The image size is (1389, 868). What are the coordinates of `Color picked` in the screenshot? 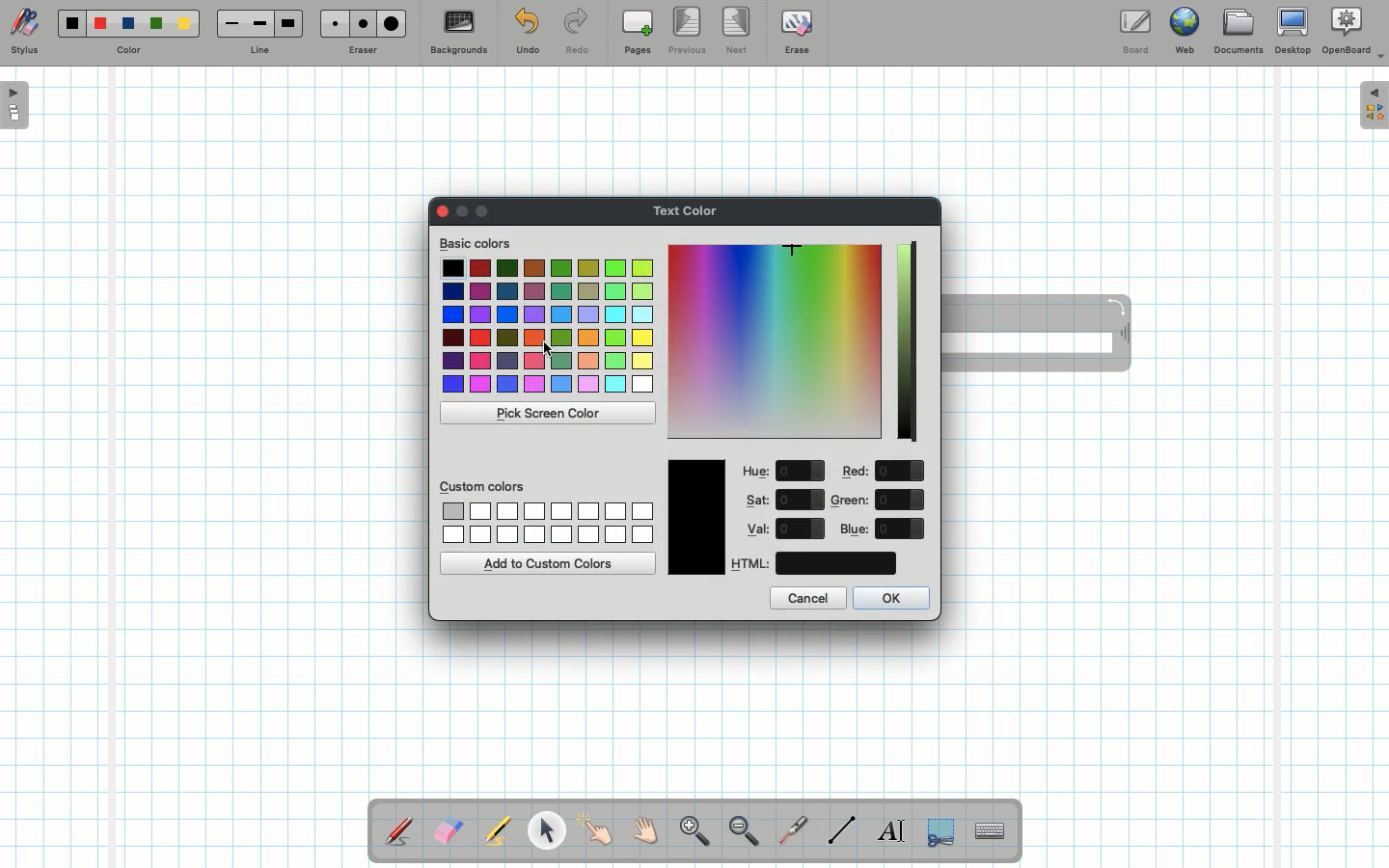 It's located at (695, 517).